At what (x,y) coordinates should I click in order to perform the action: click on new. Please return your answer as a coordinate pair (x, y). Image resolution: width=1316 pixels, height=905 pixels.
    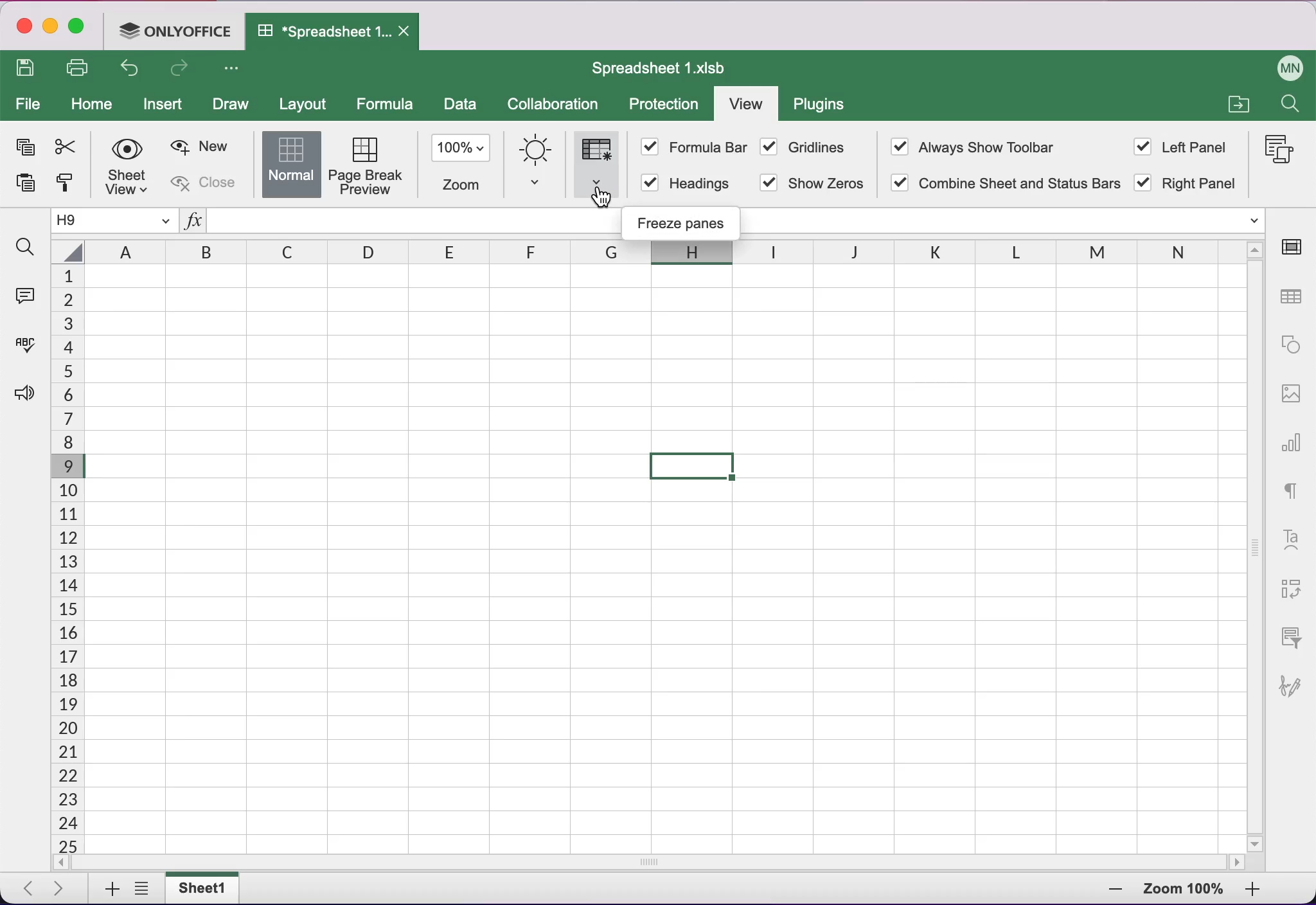
    Looking at the image, I should click on (200, 145).